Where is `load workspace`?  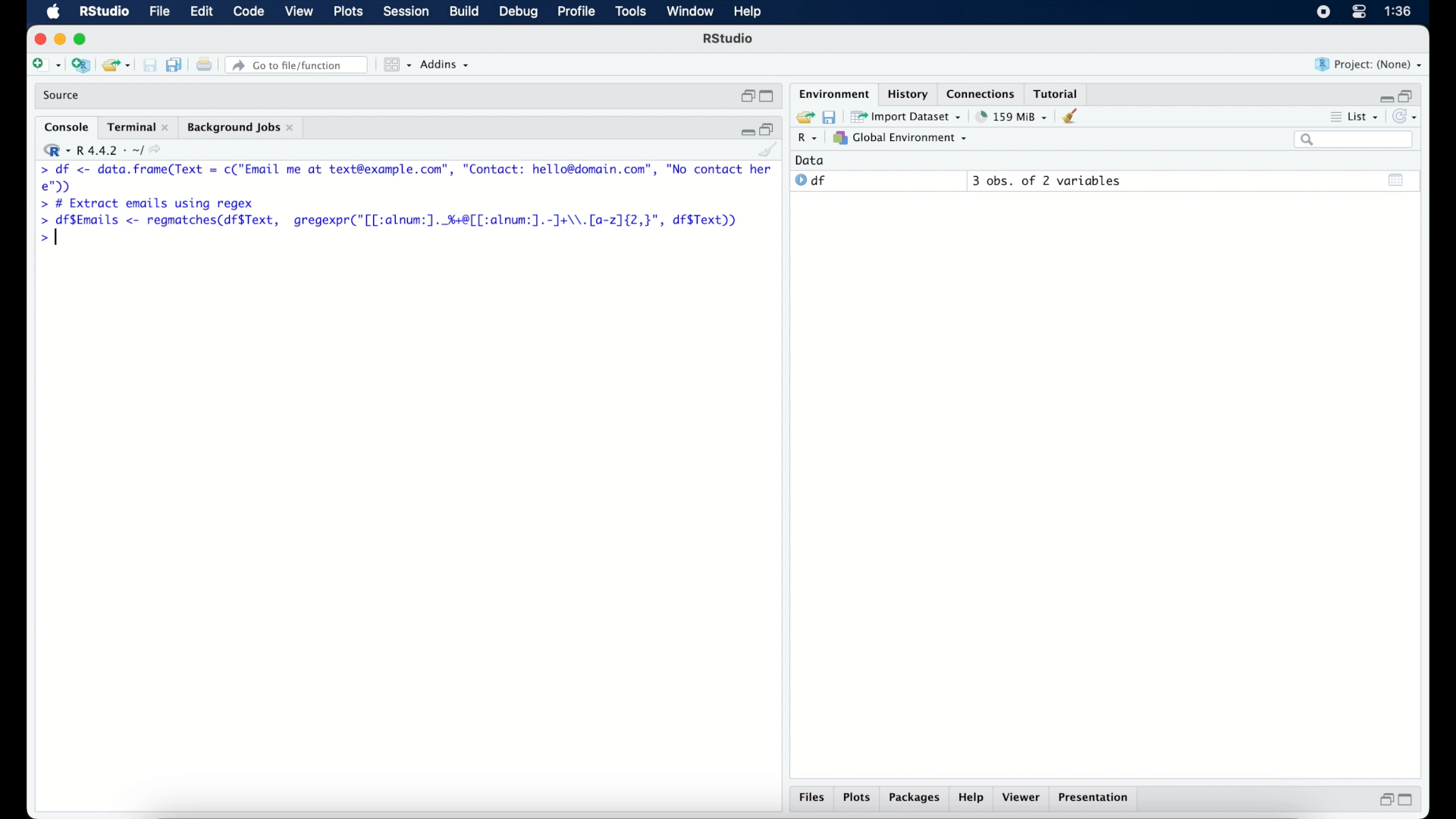
load workspace is located at coordinates (805, 115).